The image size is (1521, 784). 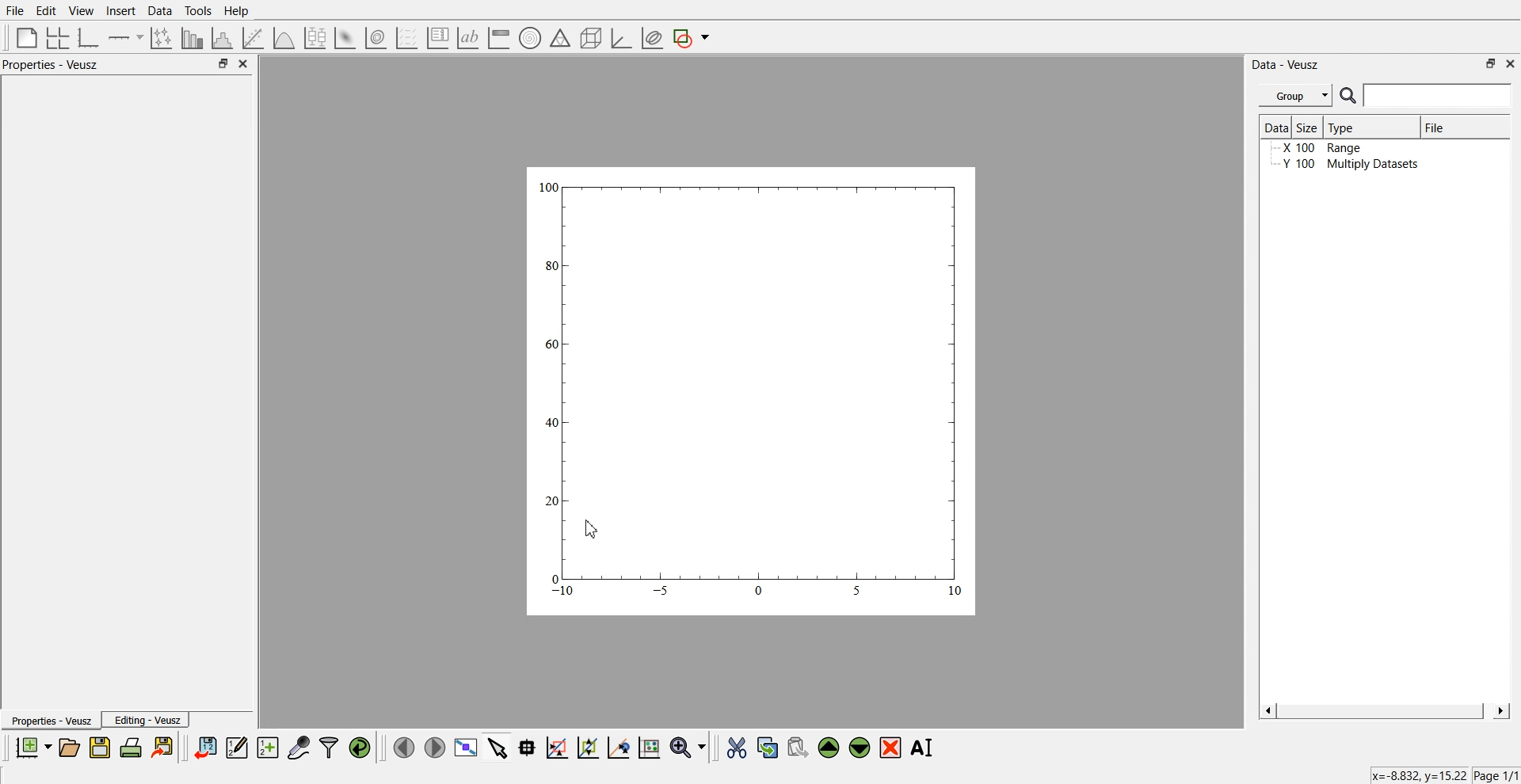 What do you see at coordinates (299, 748) in the screenshot?
I see `capture data points` at bounding box center [299, 748].